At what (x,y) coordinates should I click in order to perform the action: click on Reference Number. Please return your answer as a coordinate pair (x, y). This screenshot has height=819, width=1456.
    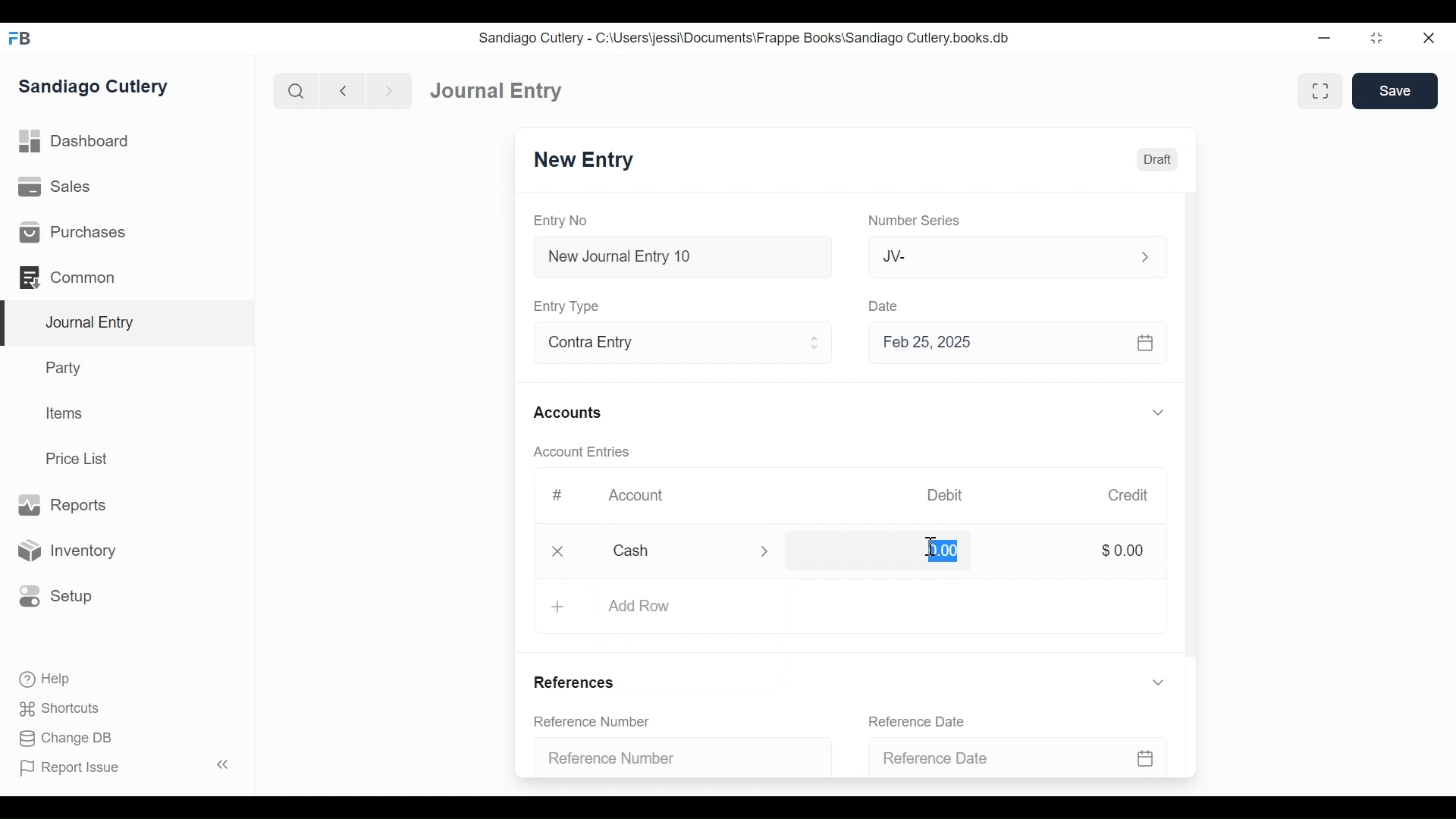
    Looking at the image, I should click on (595, 722).